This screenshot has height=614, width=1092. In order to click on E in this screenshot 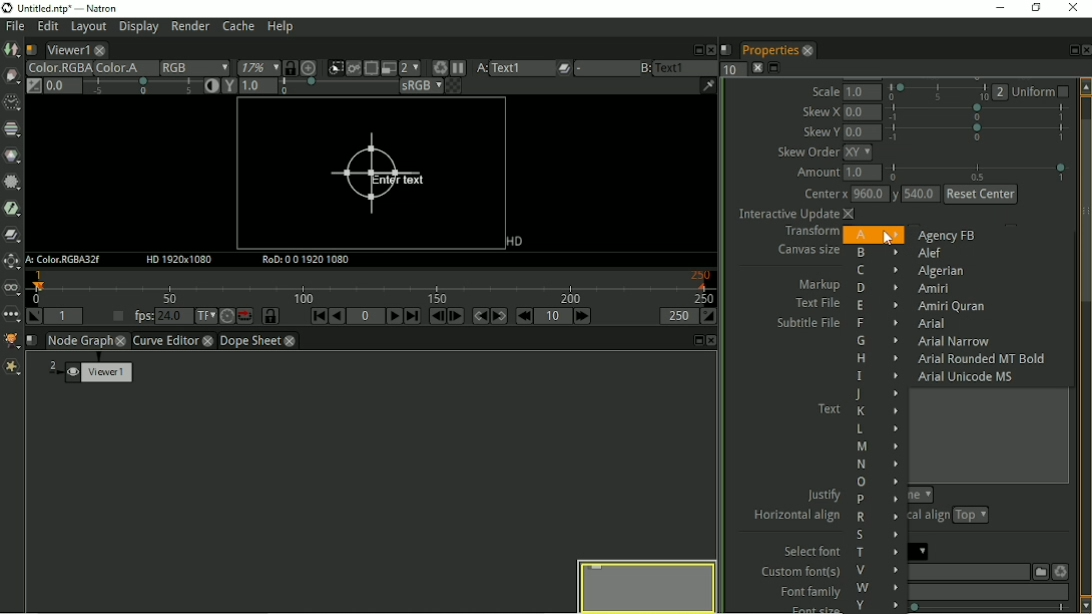, I will do `click(876, 307)`.